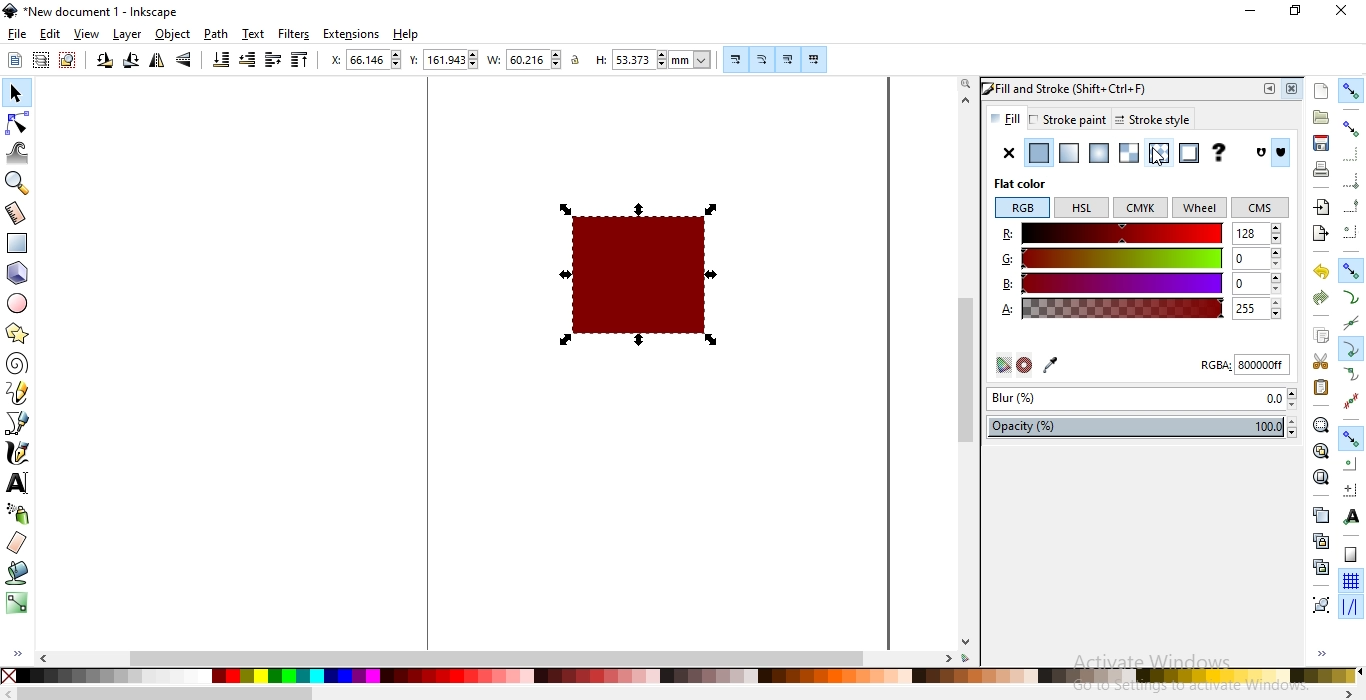  What do you see at coordinates (1350, 375) in the screenshot?
I see `snap smooth nodes` at bounding box center [1350, 375].